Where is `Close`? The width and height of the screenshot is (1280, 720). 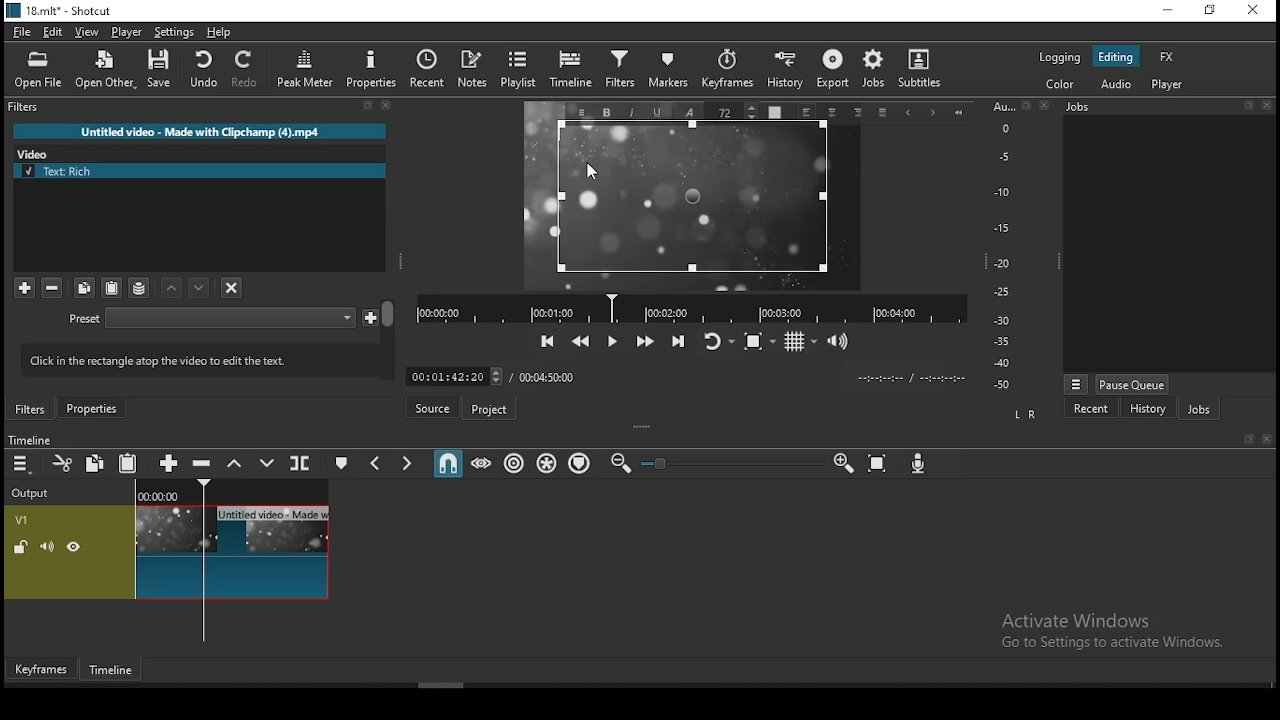 Close is located at coordinates (1045, 104).